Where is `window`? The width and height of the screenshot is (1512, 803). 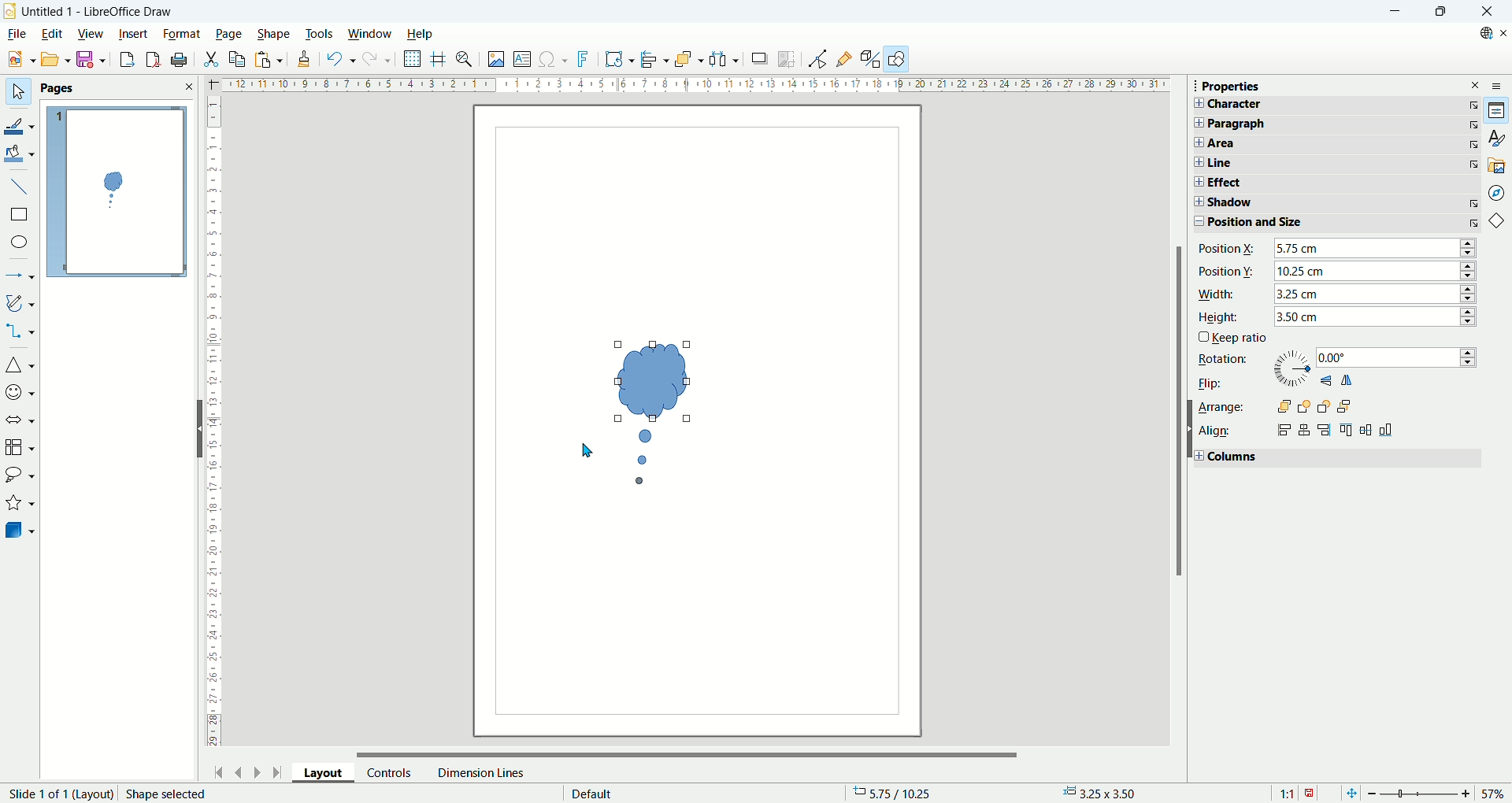 window is located at coordinates (370, 35).